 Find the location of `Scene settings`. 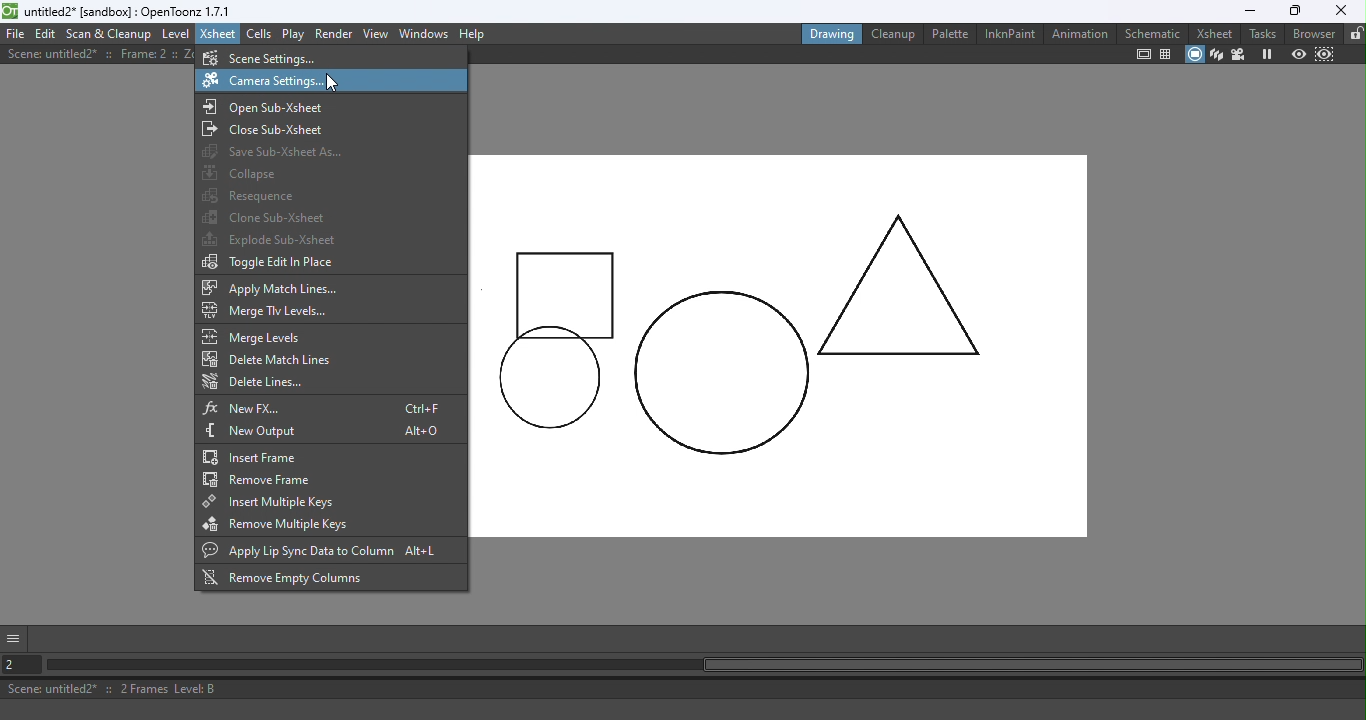

Scene settings is located at coordinates (284, 57).